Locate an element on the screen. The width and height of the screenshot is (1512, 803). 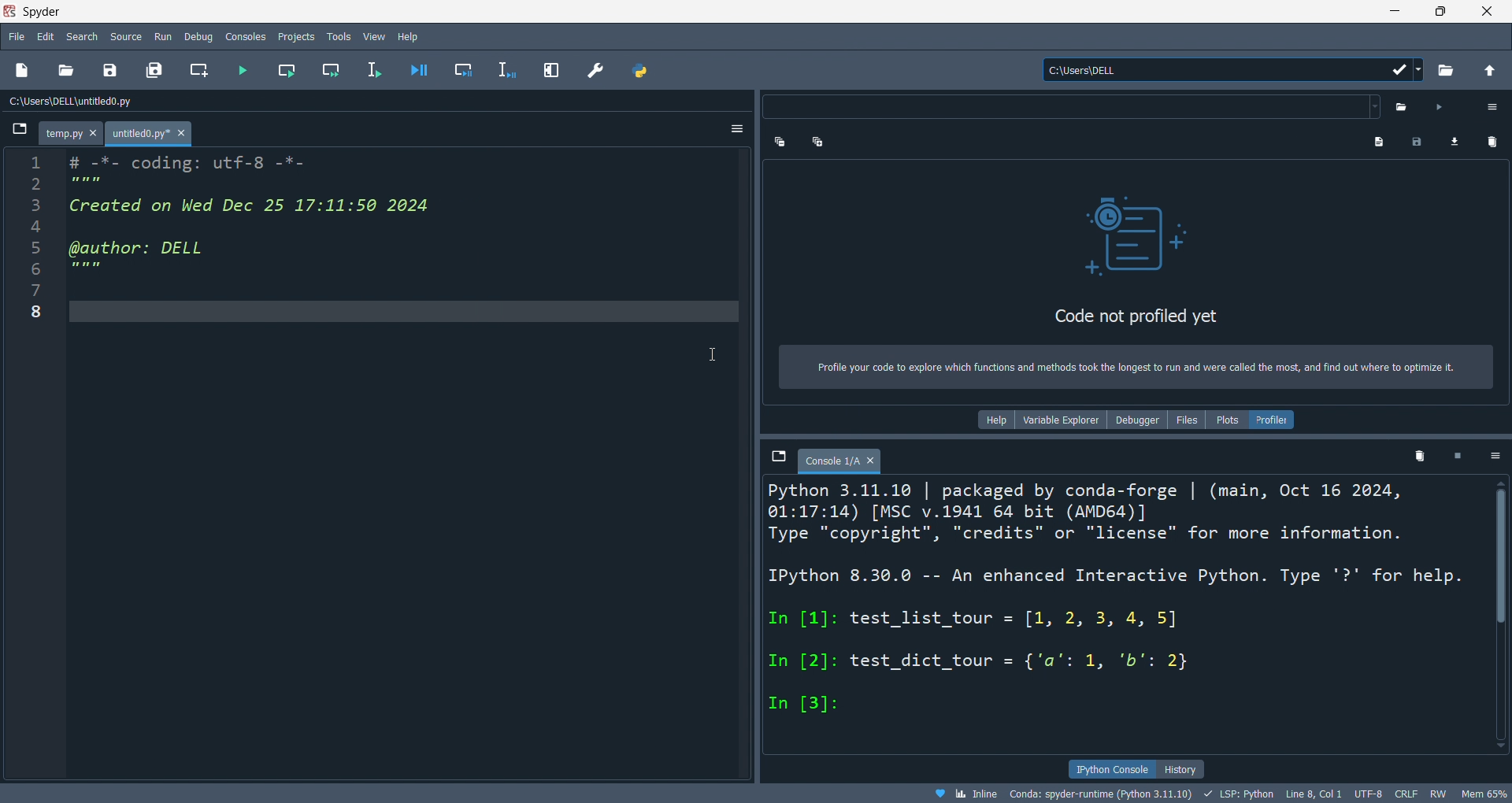
debug cell is located at coordinates (463, 70).